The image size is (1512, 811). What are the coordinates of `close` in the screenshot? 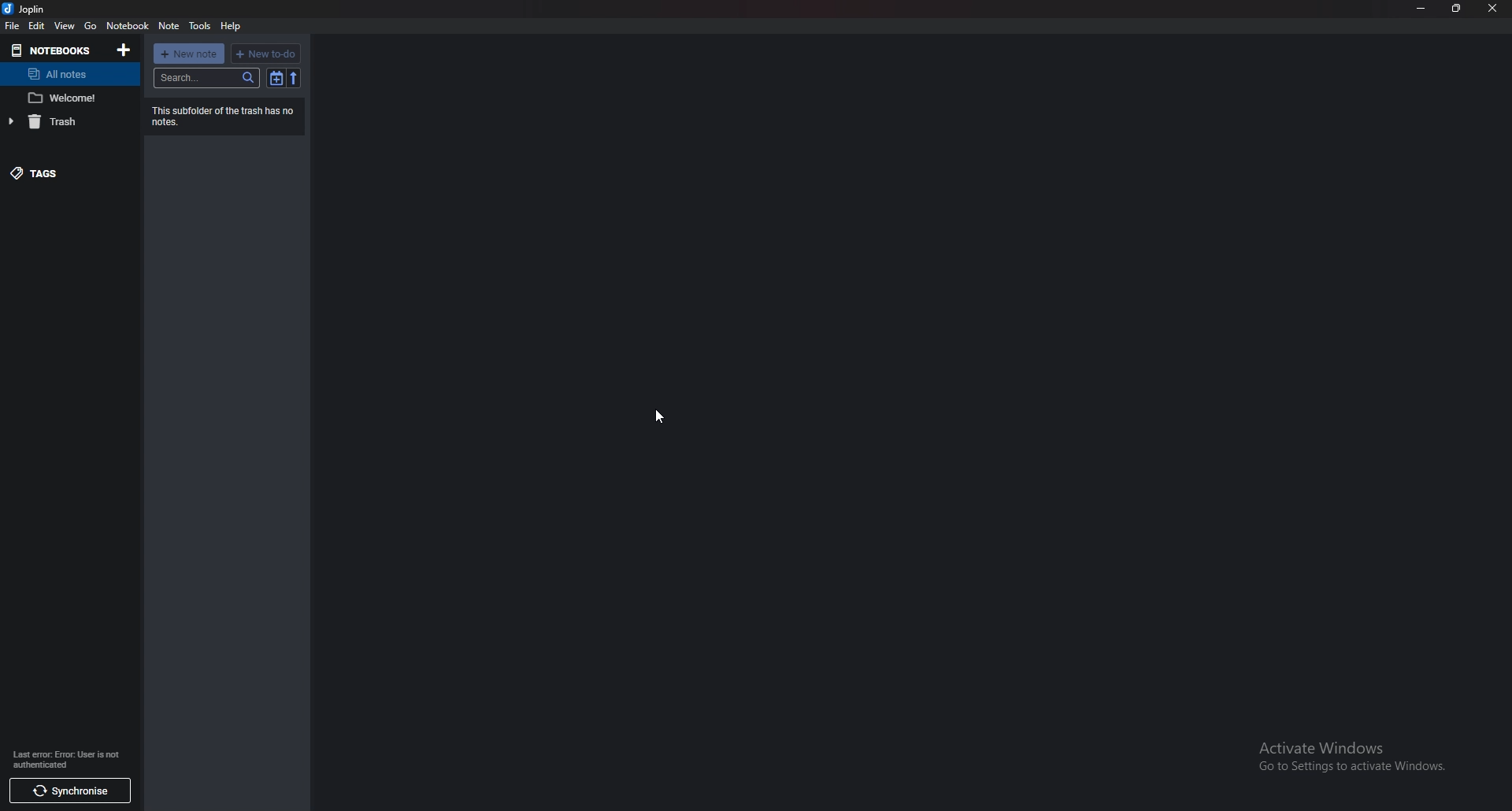 It's located at (1493, 8).